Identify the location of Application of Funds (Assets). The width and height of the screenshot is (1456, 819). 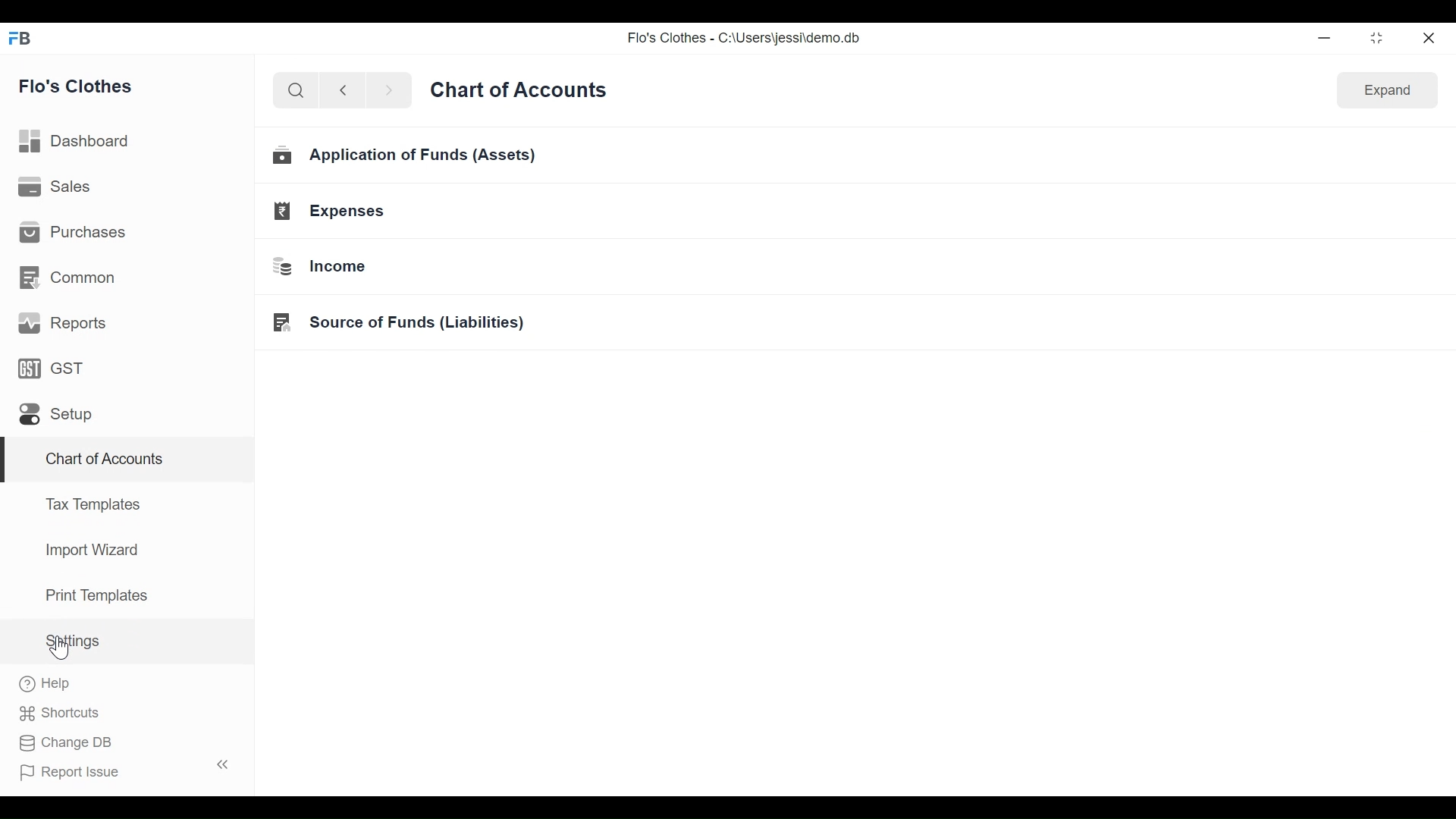
(407, 158).